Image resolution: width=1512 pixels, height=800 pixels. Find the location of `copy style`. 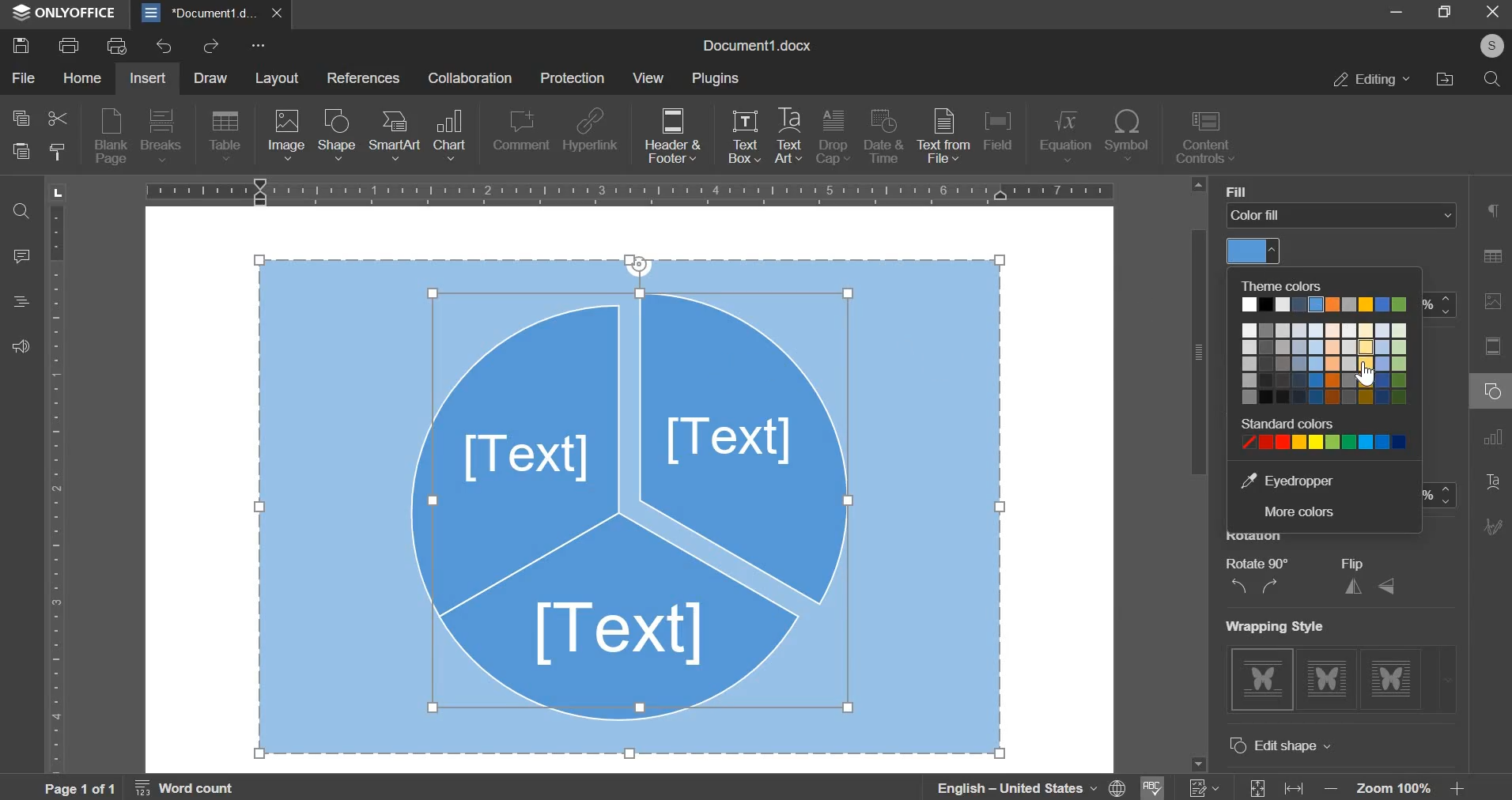

copy style is located at coordinates (60, 156).